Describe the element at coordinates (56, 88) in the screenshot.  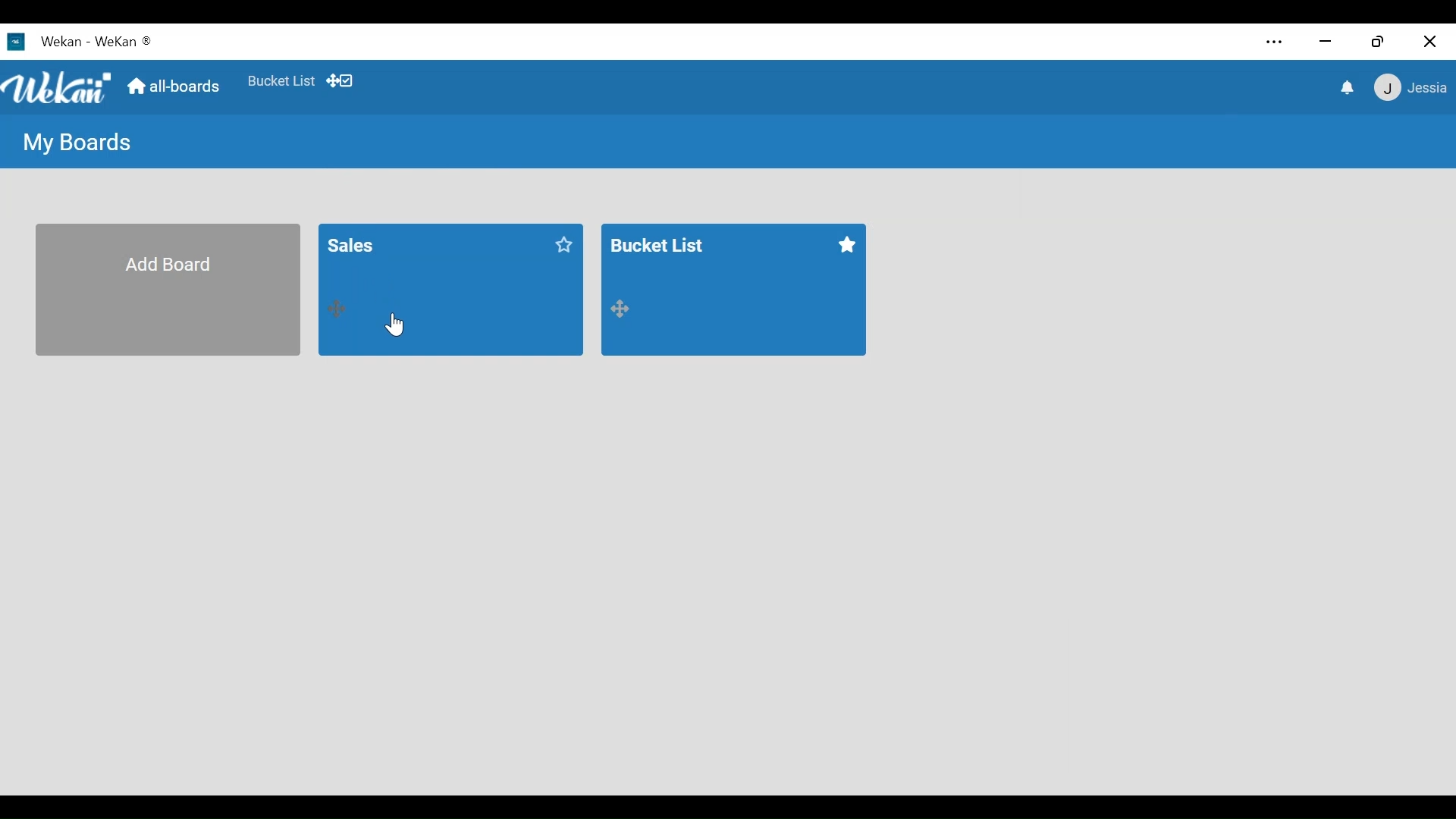
I see `Wekan logo` at that location.